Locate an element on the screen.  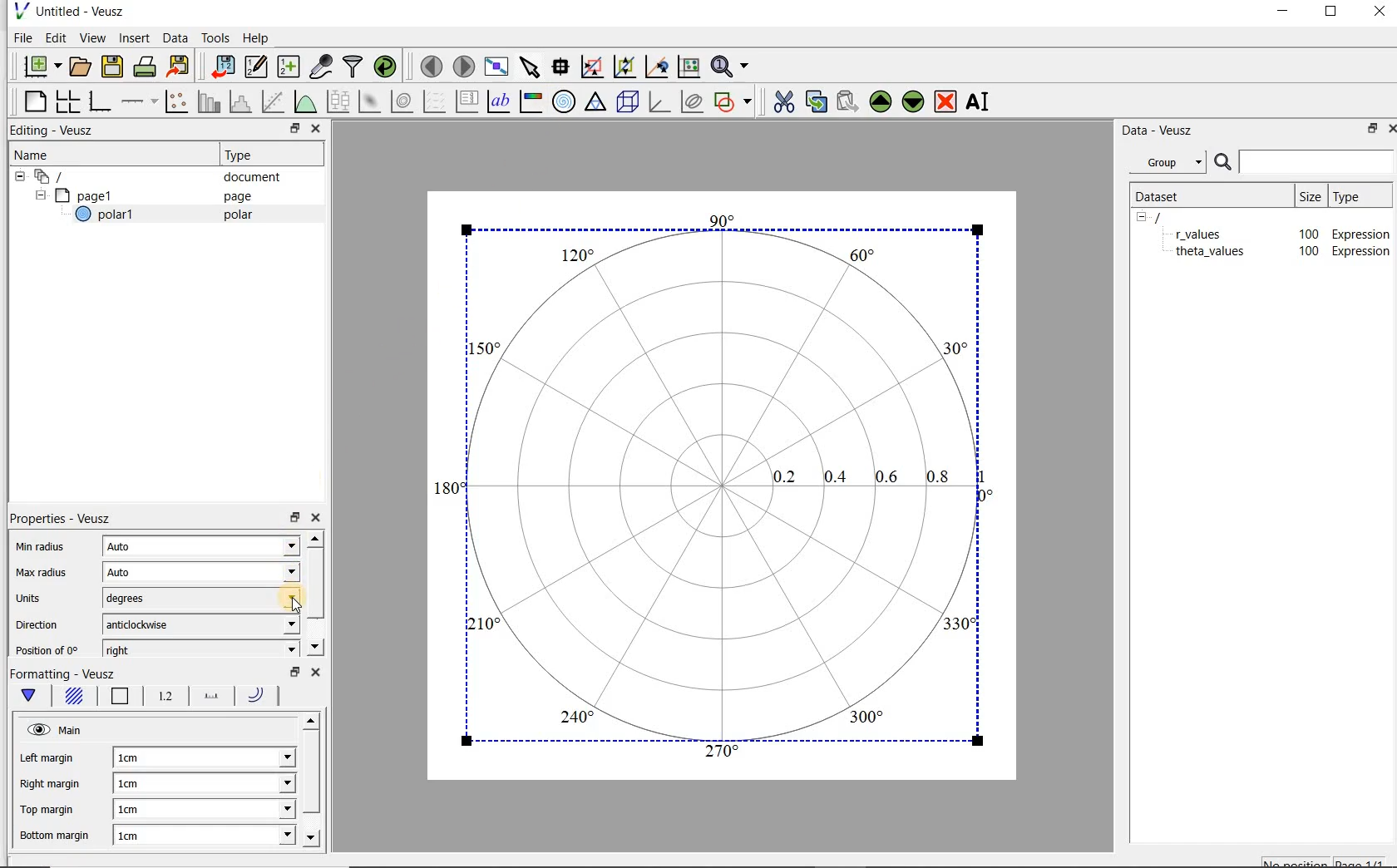
100 is located at coordinates (1307, 252).